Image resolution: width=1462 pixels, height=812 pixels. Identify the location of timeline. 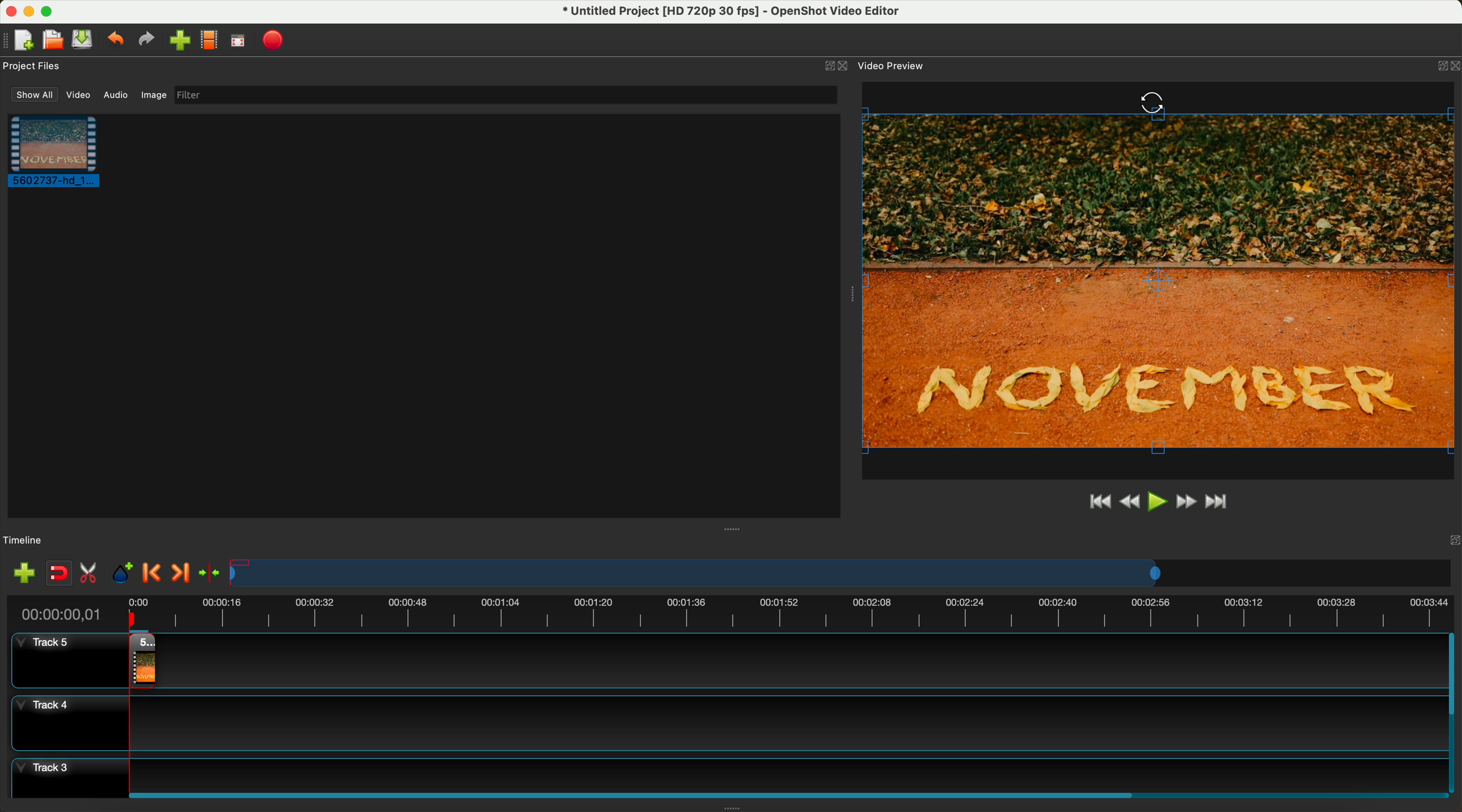
(841, 572).